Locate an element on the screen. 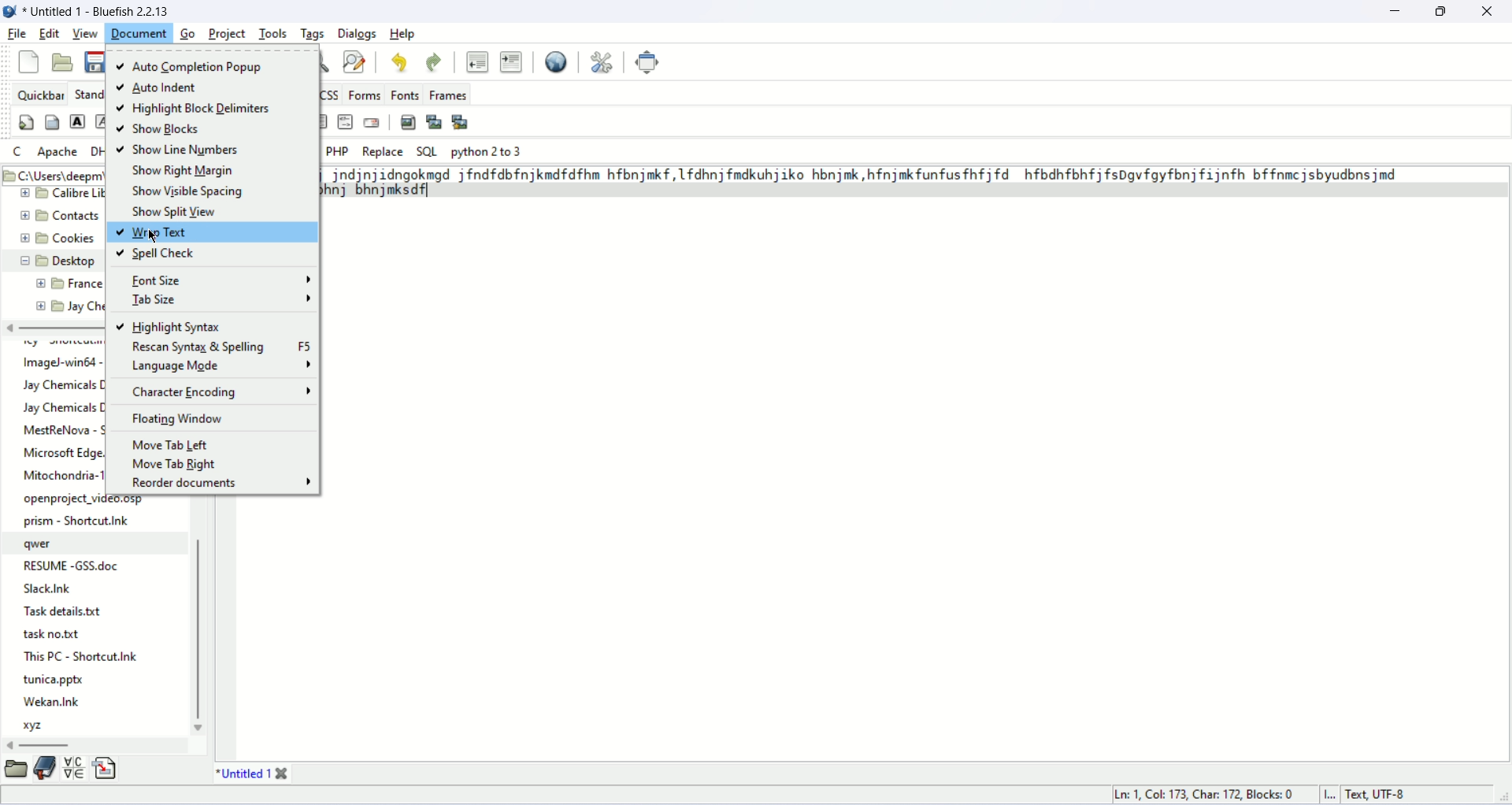  preview in browser is located at coordinates (557, 62).